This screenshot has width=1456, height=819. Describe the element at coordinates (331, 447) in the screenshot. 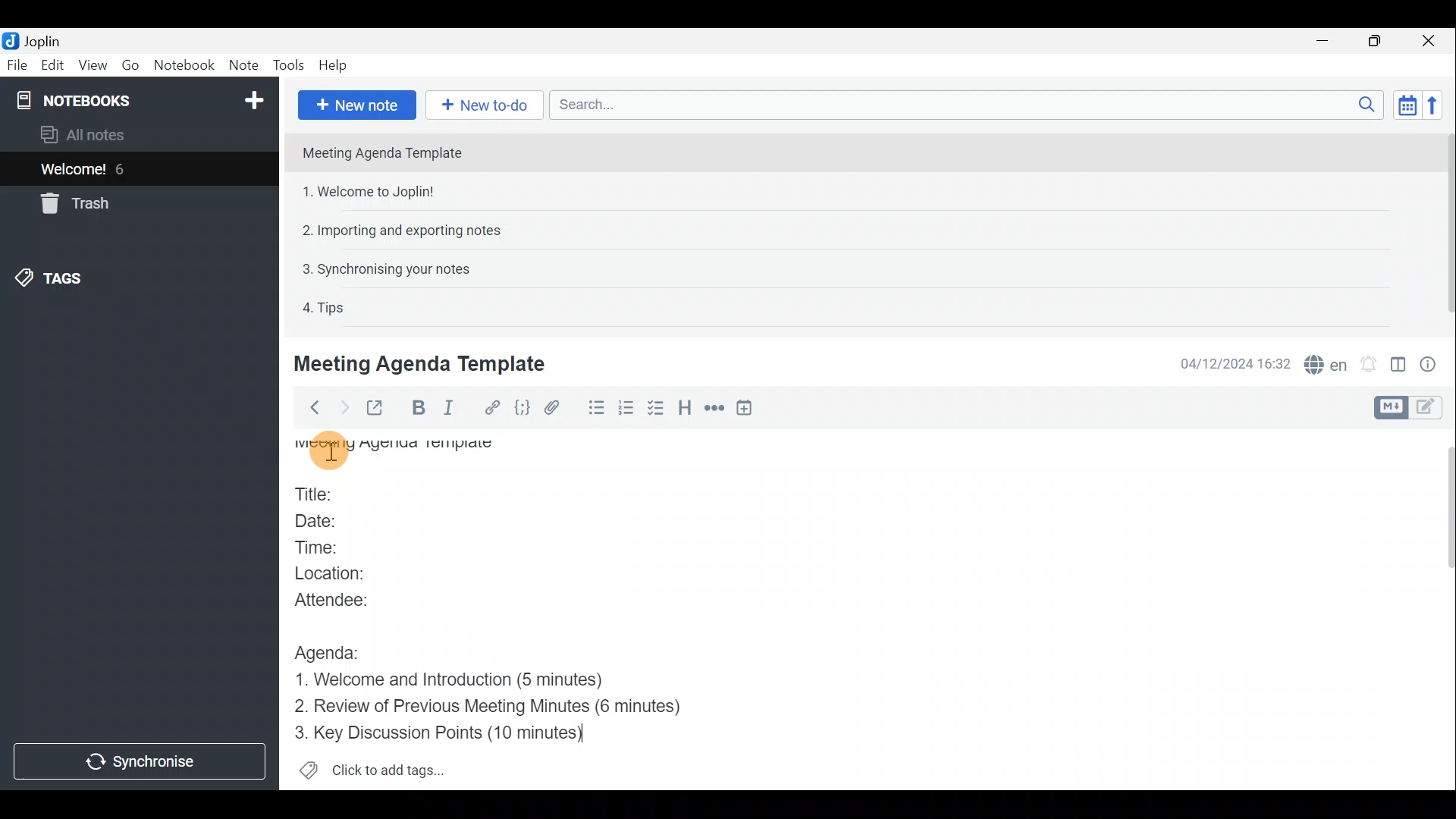

I see `` at that location.